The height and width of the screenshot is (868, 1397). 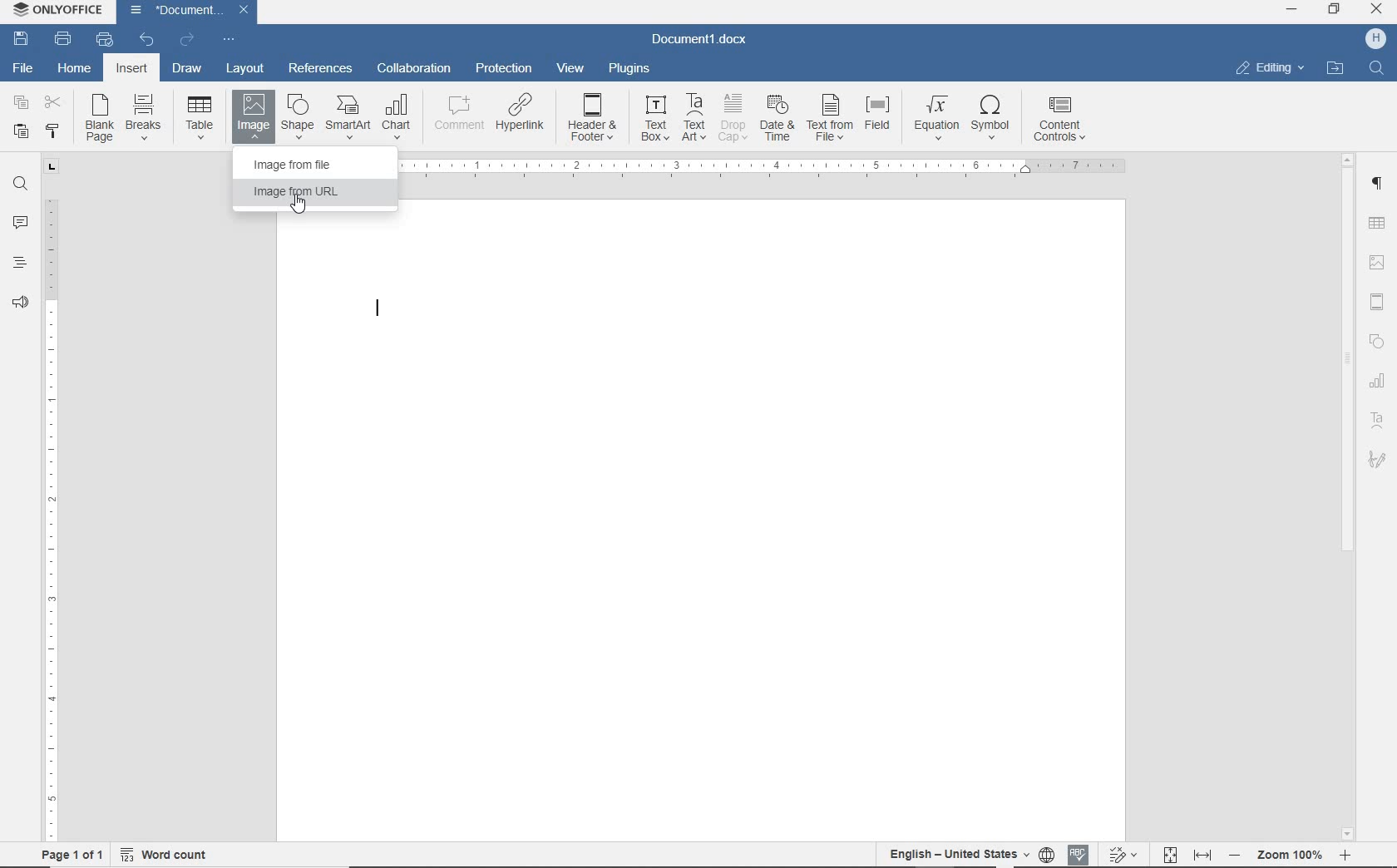 What do you see at coordinates (74, 856) in the screenshot?
I see `page 1of 1` at bounding box center [74, 856].